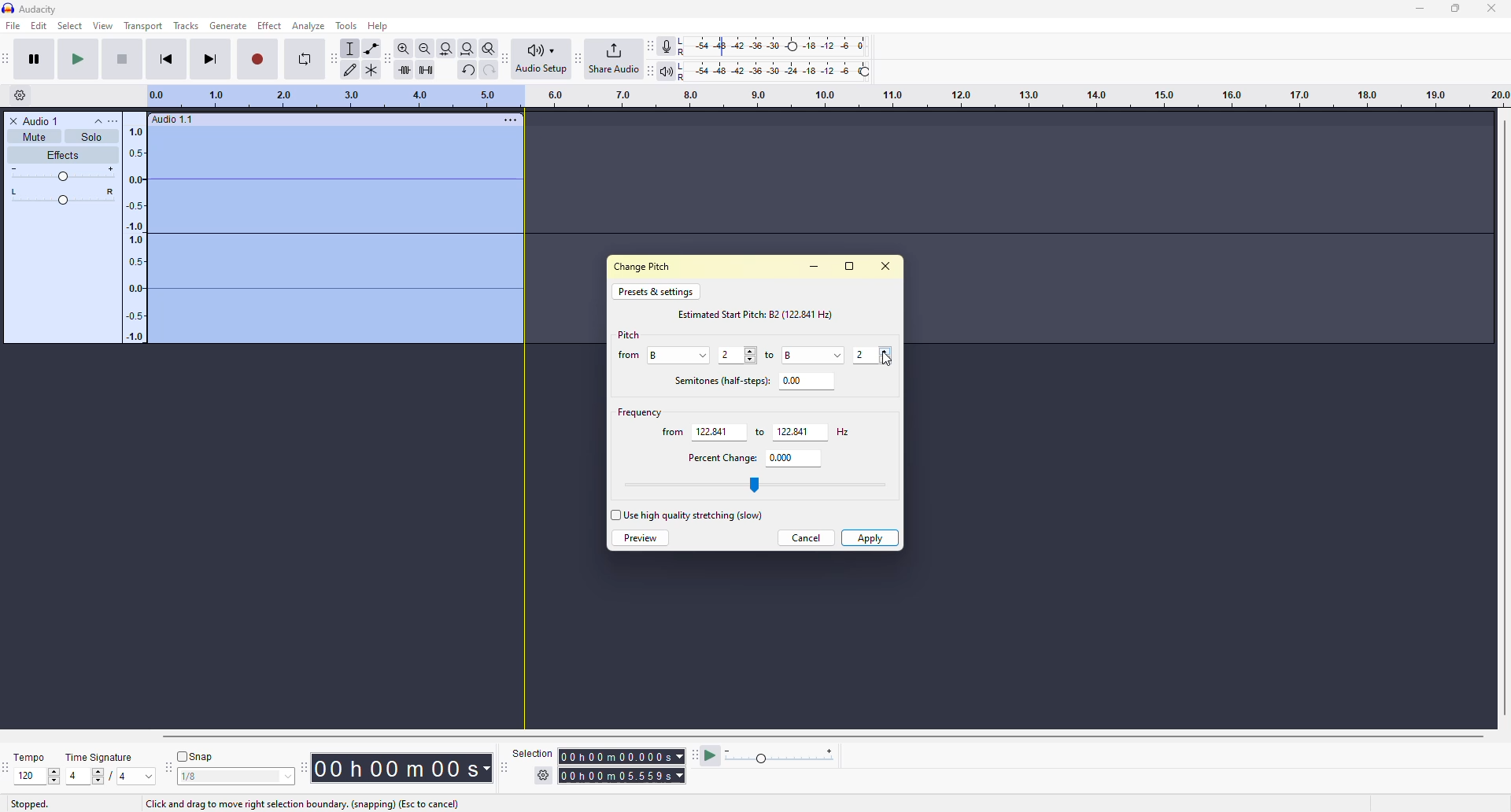 The height and width of the screenshot is (812, 1511). I want to click on snapping toolbar, so click(168, 767).